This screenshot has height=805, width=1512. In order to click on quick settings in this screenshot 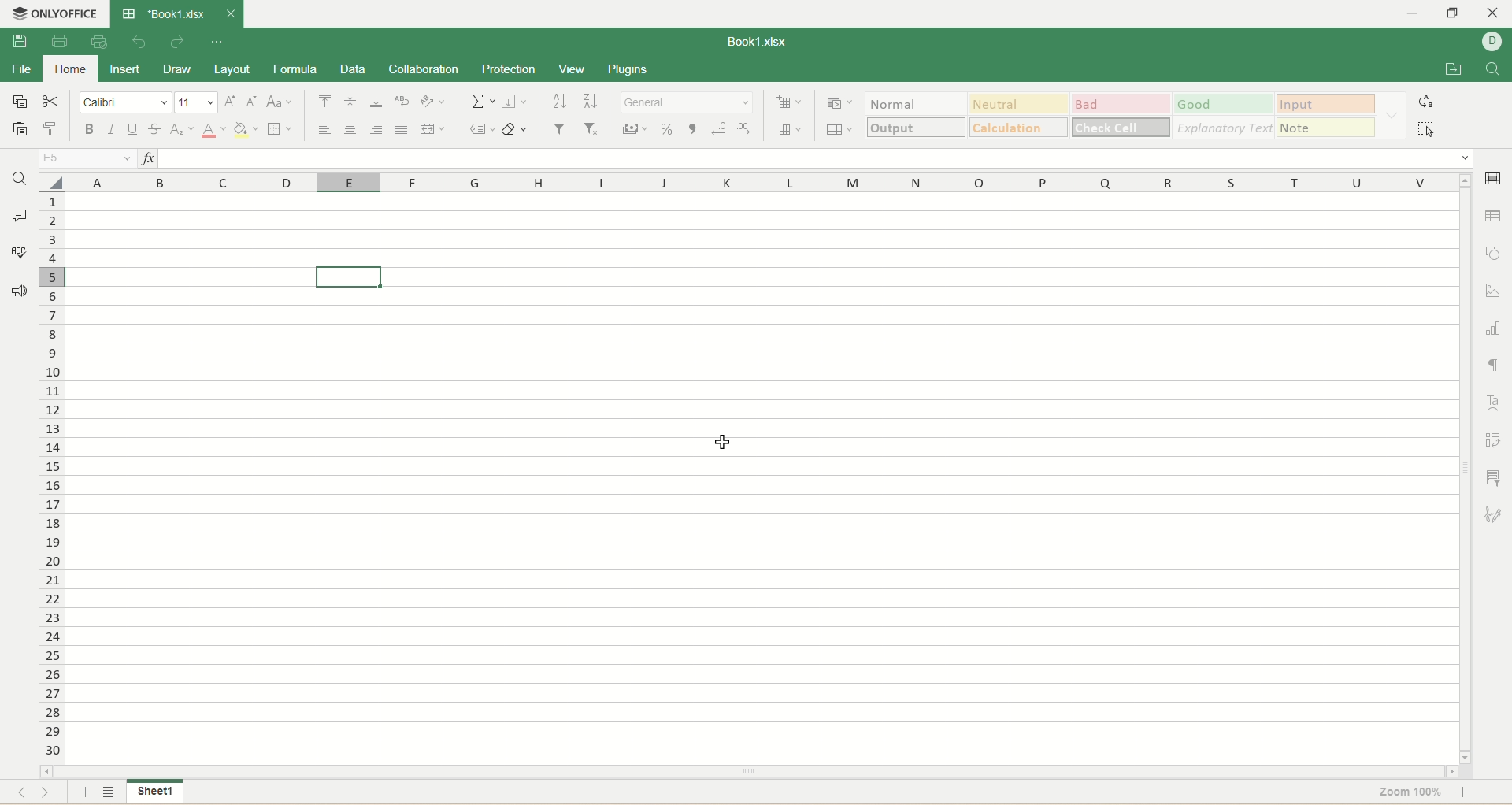, I will do `click(223, 43)`.